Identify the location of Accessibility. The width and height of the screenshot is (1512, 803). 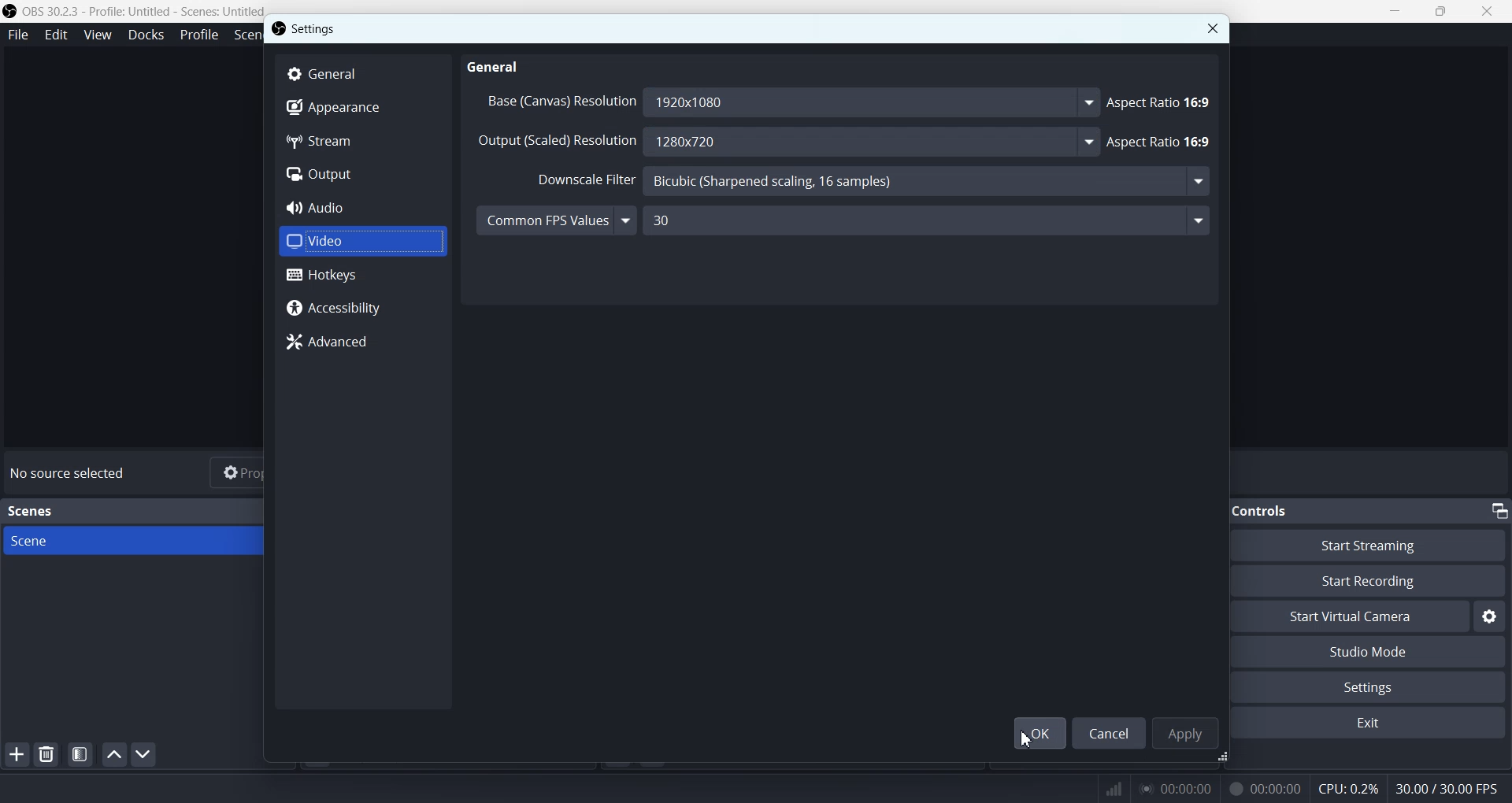
(362, 309).